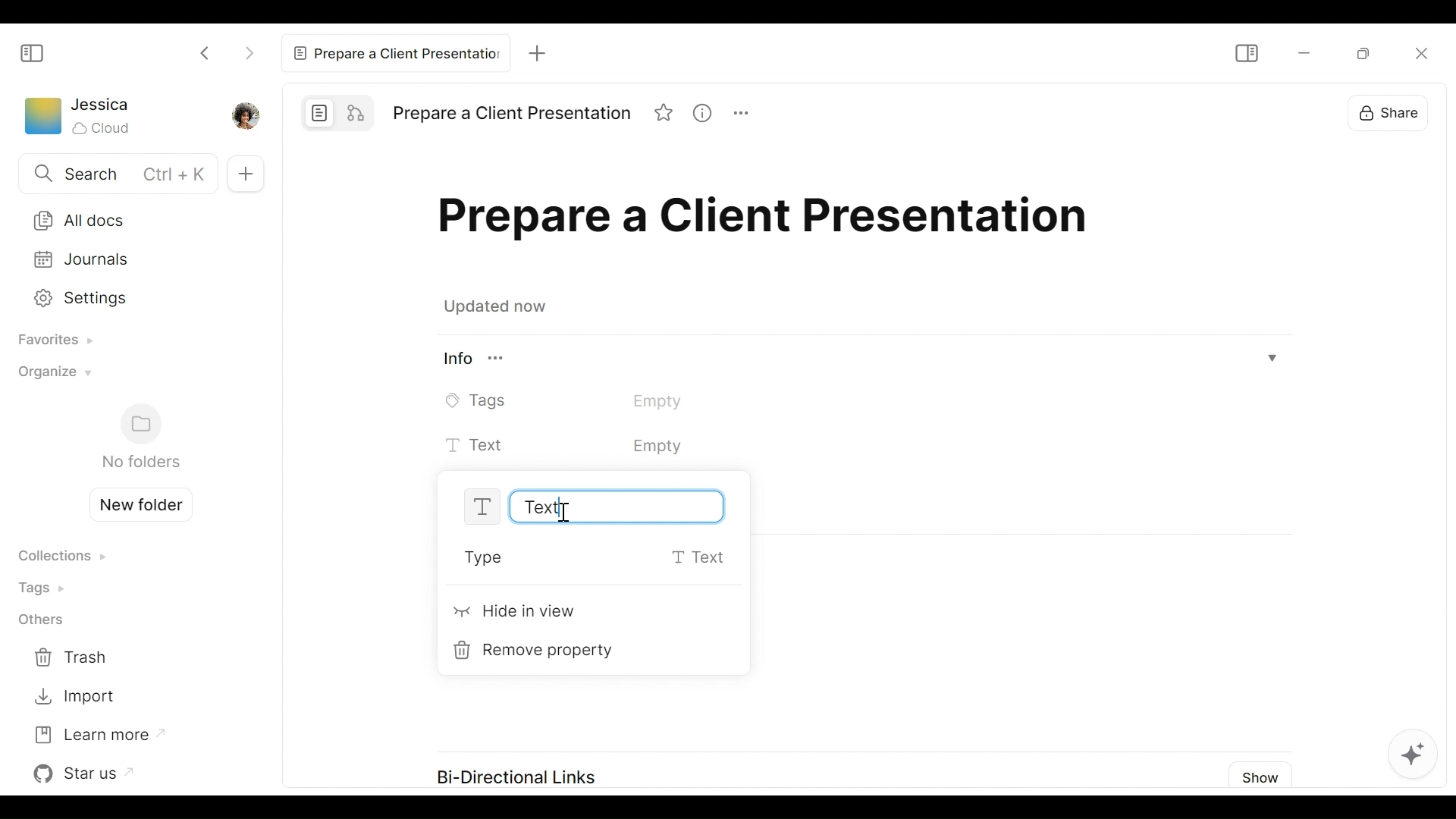 The width and height of the screenshot is (1456, 819). I want to click on Favorite, so click(665, 115).